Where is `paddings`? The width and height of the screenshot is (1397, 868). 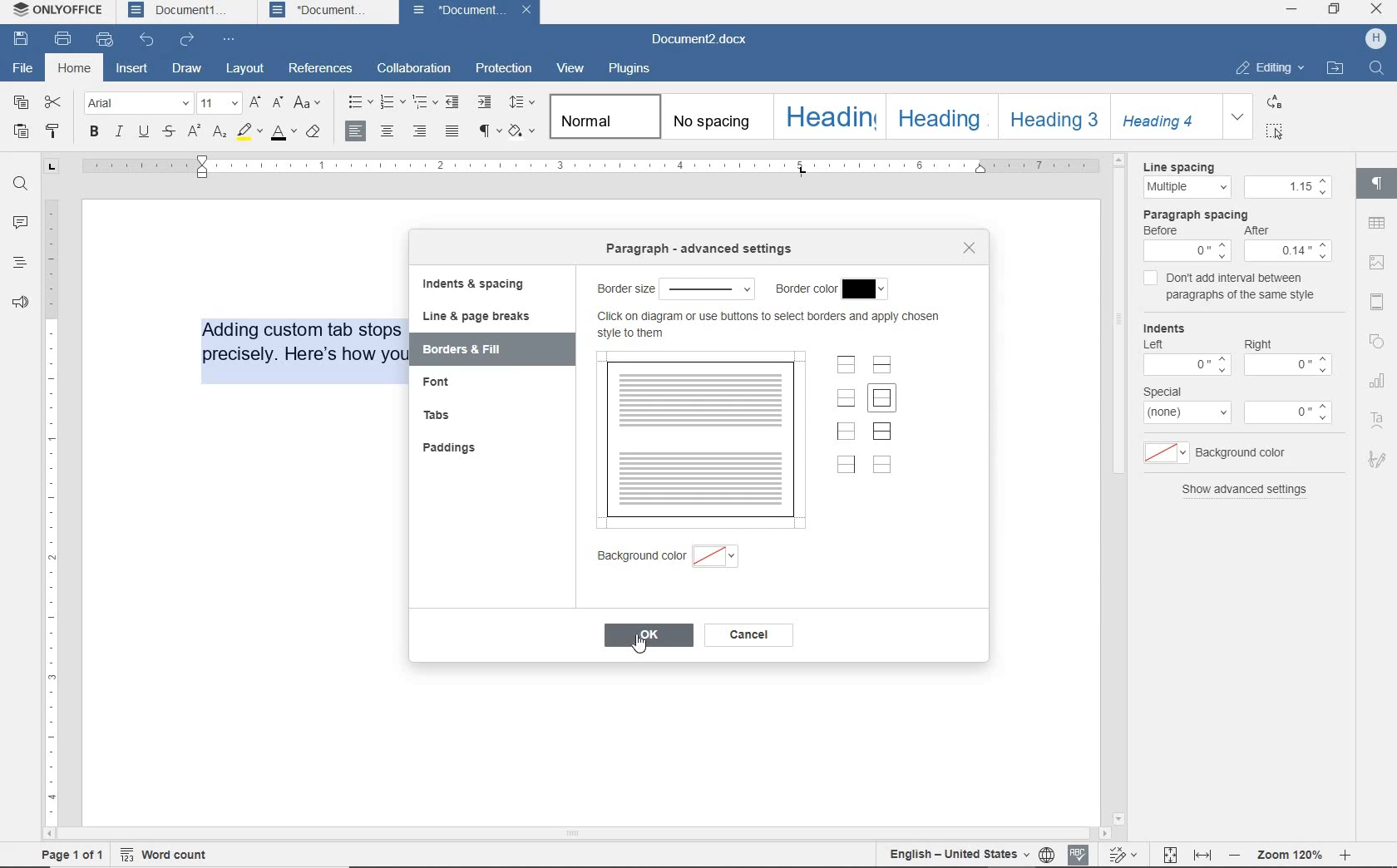
paddings is located at coordinates (454, 447).